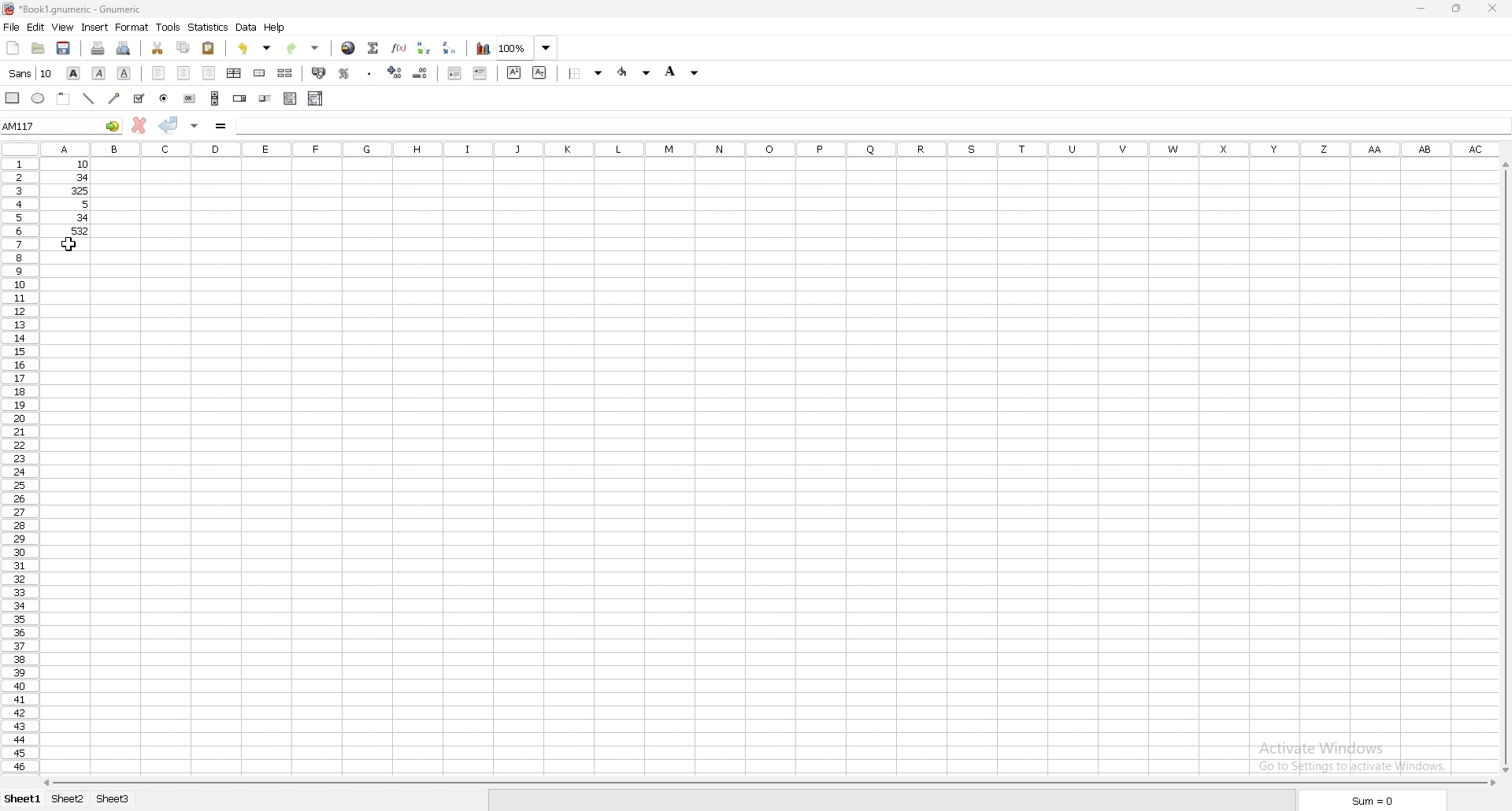 Image resolution: width=1512 pixels, height=811 pixels. I want to click on redo, so click(304, 48).